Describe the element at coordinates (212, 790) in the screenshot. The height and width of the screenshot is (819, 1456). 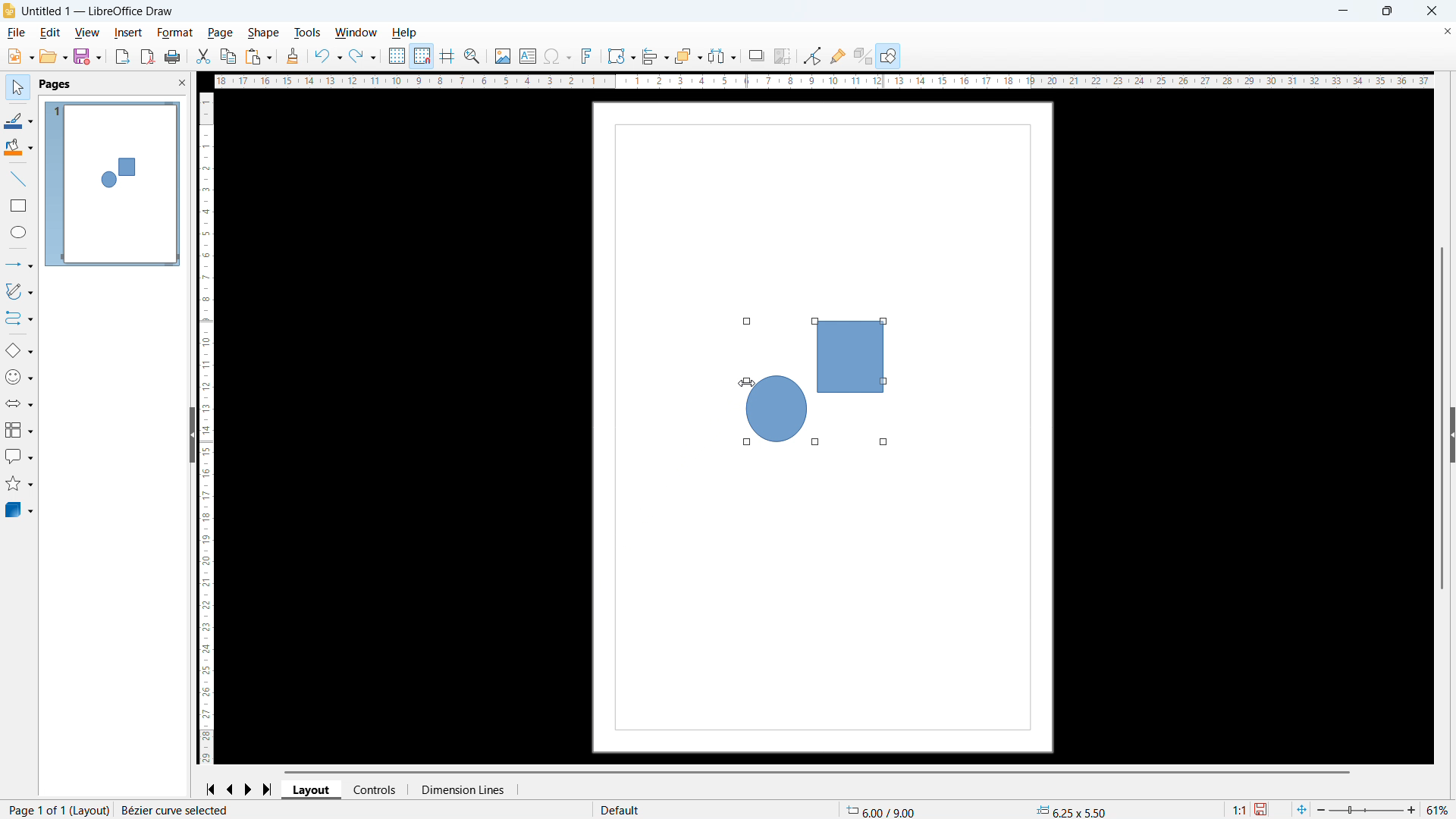
I see ` Go to first page ` at that location.